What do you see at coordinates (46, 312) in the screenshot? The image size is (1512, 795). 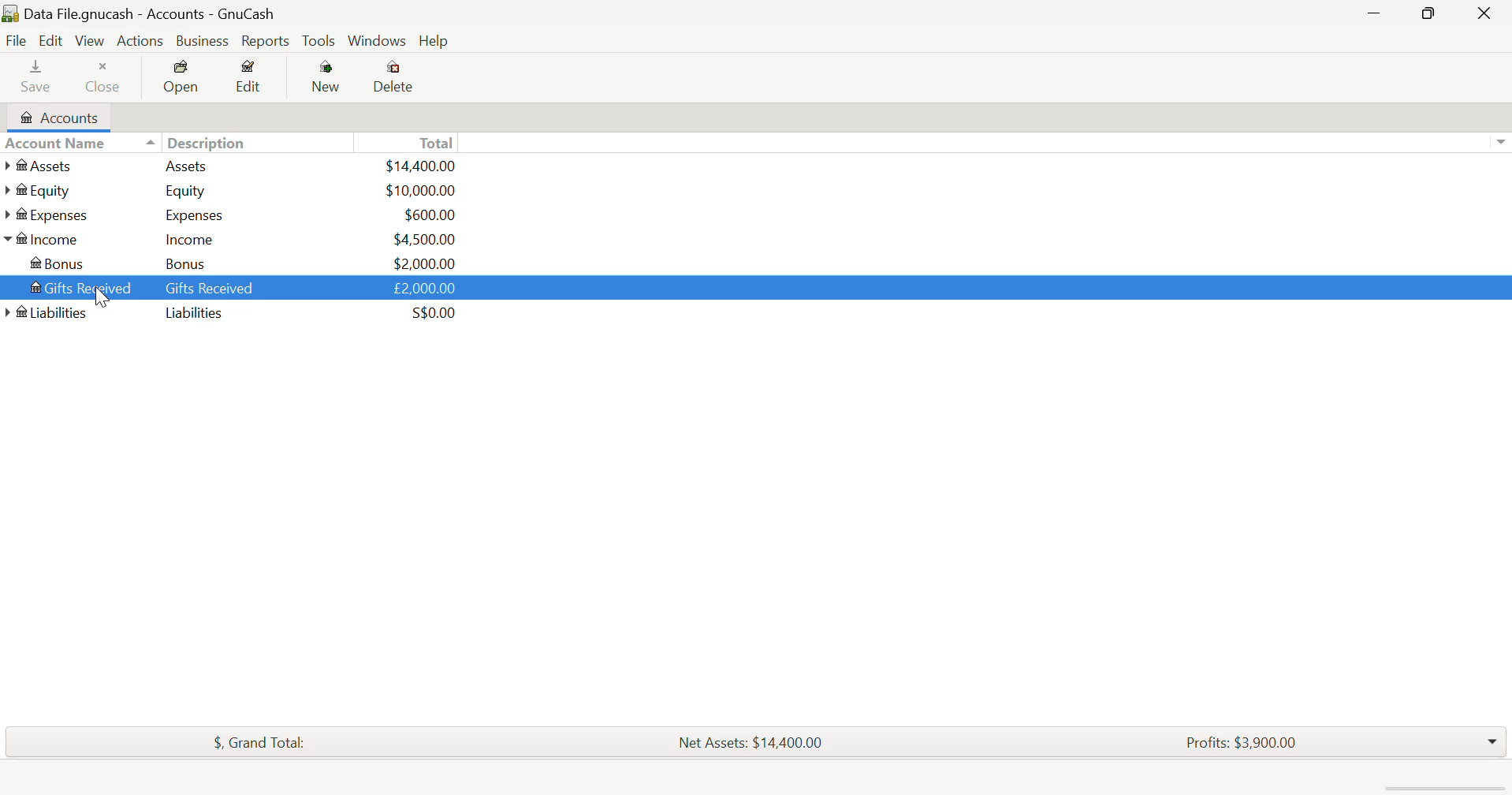 I see `` at bounding box center [46, 312].